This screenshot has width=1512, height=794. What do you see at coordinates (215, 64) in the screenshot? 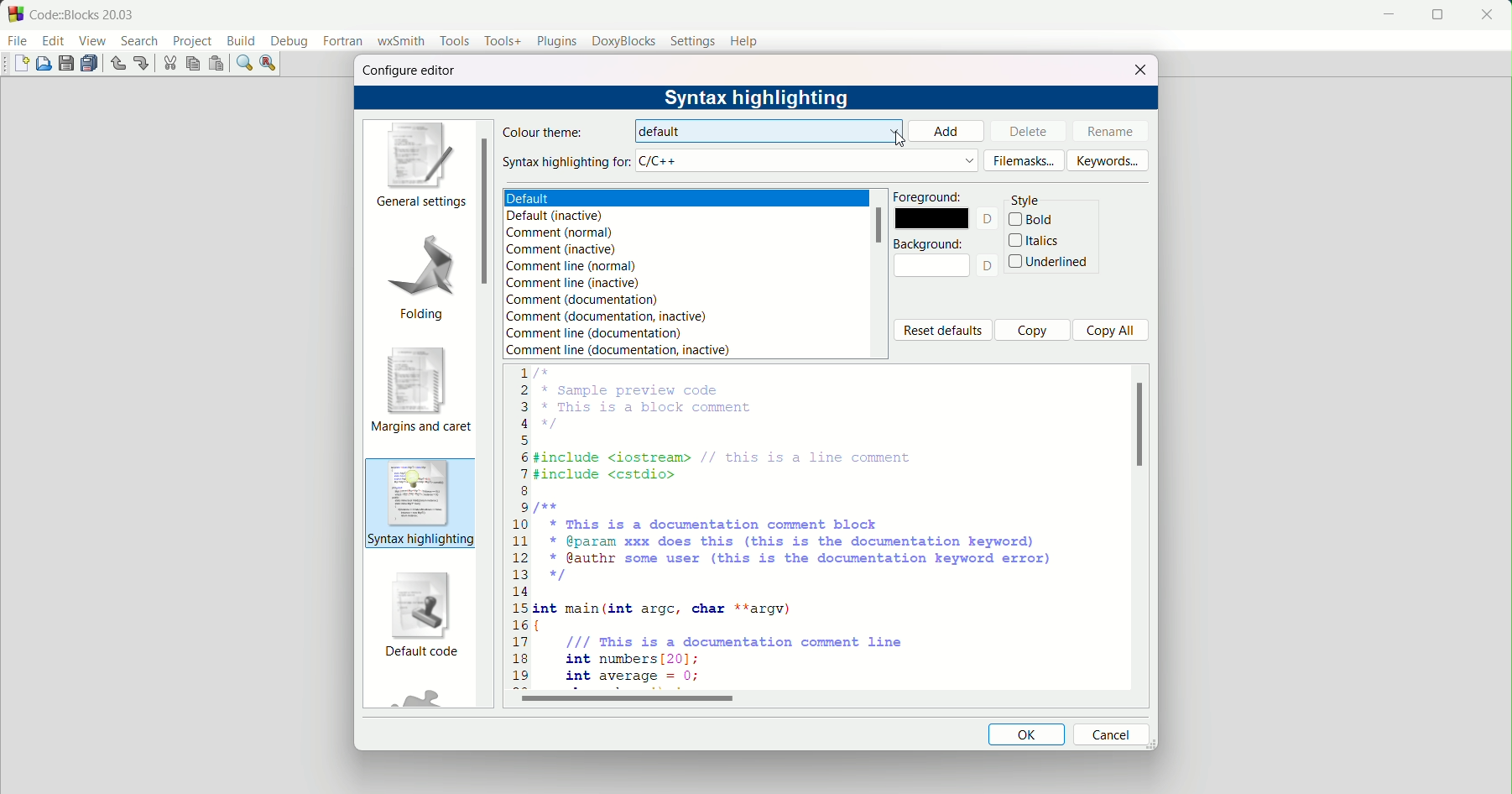
I see `paste` at bounding box center [215, 64].